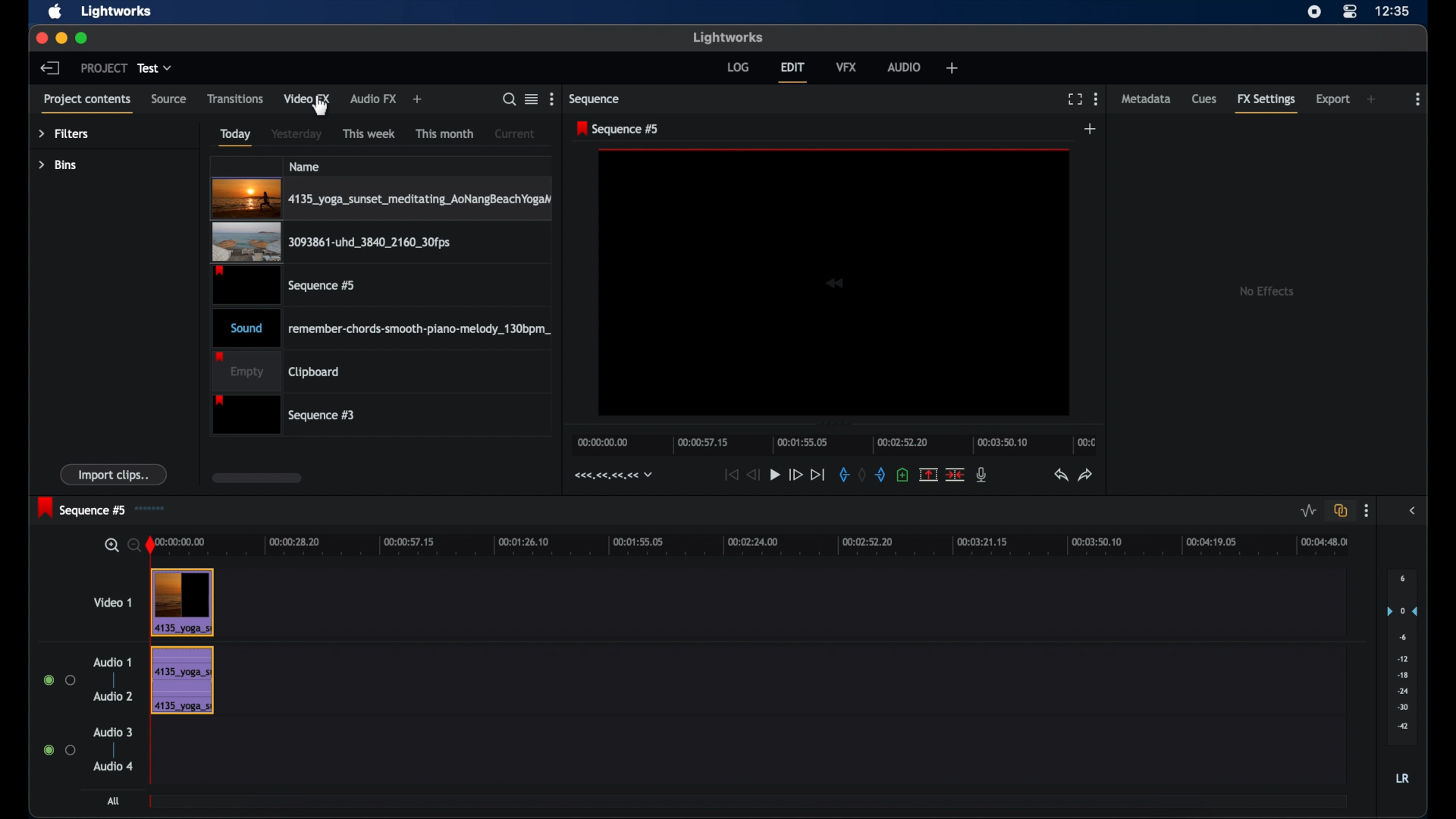 The height and width of the screenshot is (819, 1456). I want to click on transitions, so click(236, 99).